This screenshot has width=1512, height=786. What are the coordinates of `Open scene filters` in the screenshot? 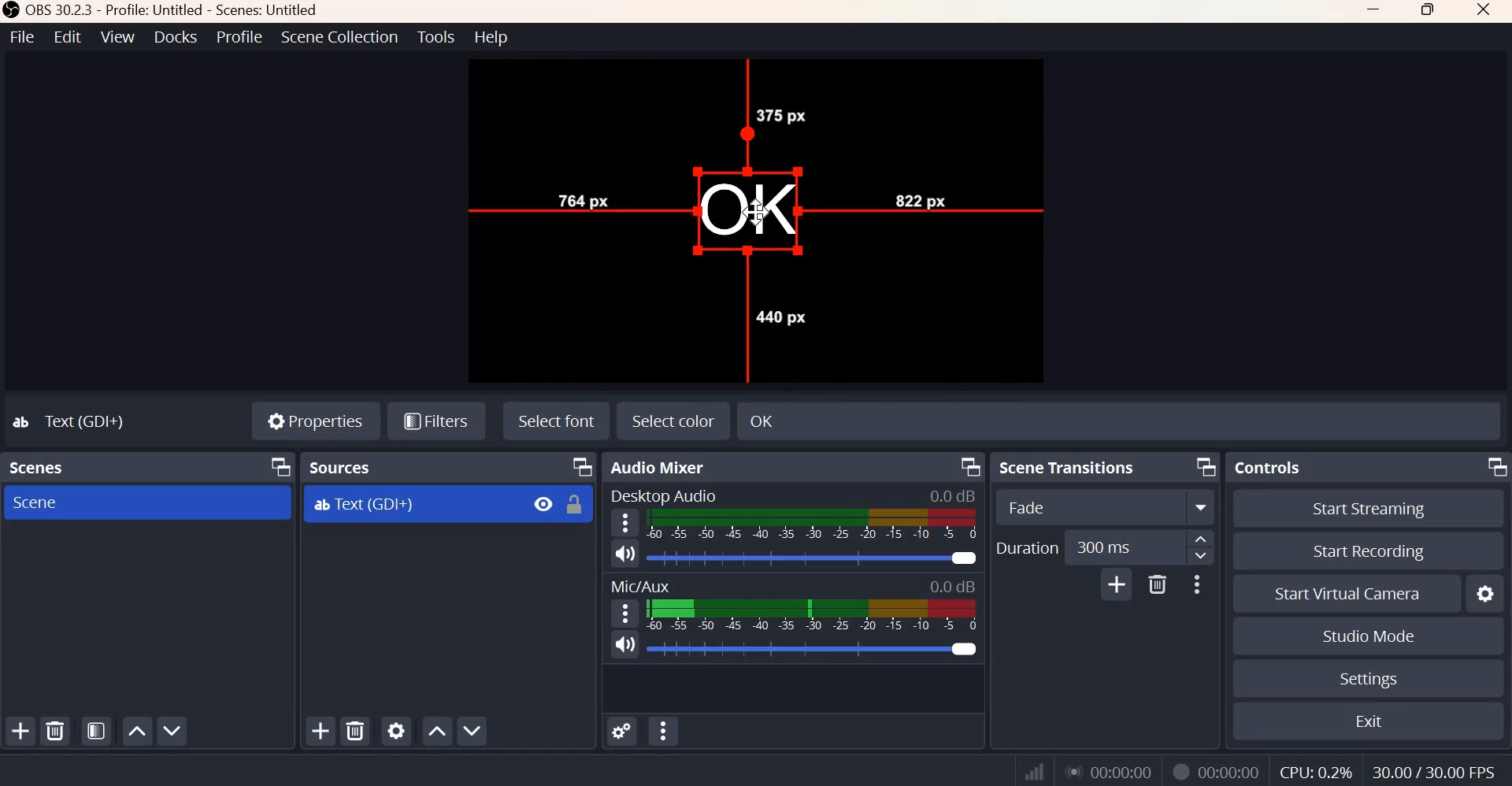 It's located at (95, 730).